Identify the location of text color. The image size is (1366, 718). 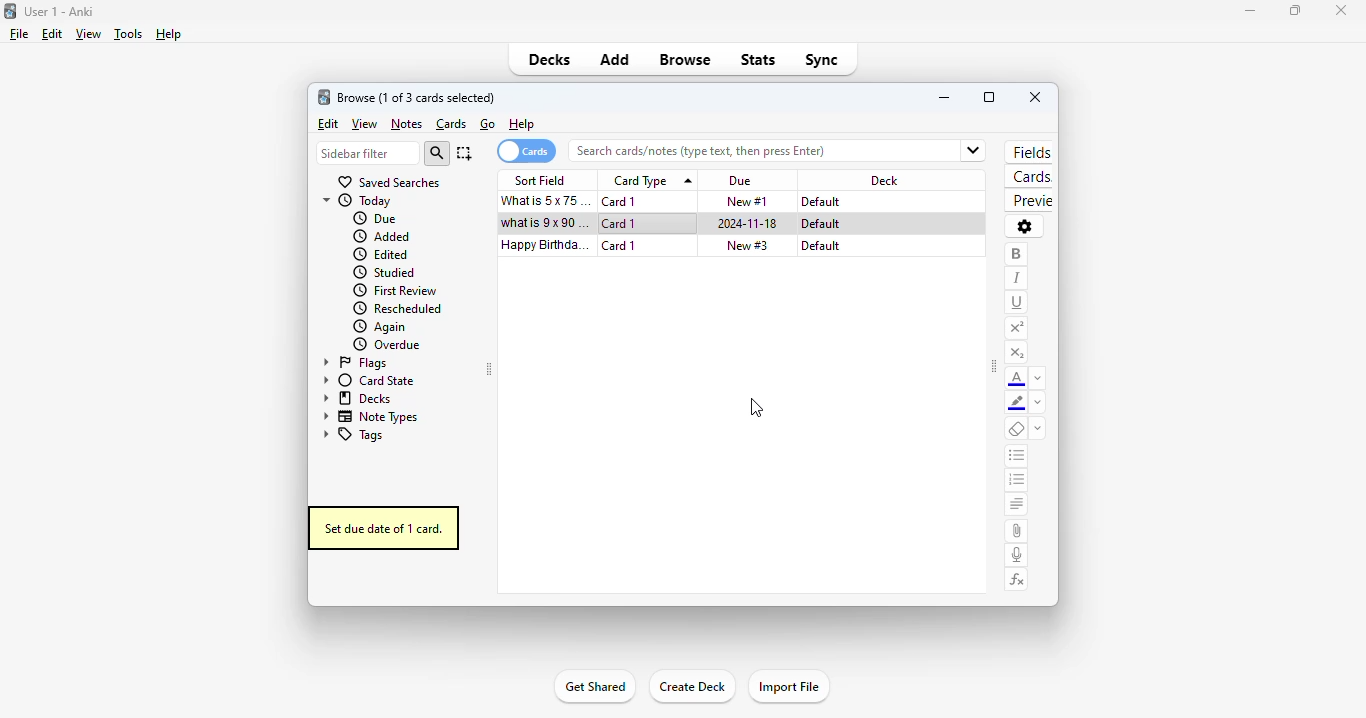
(1019, 378).